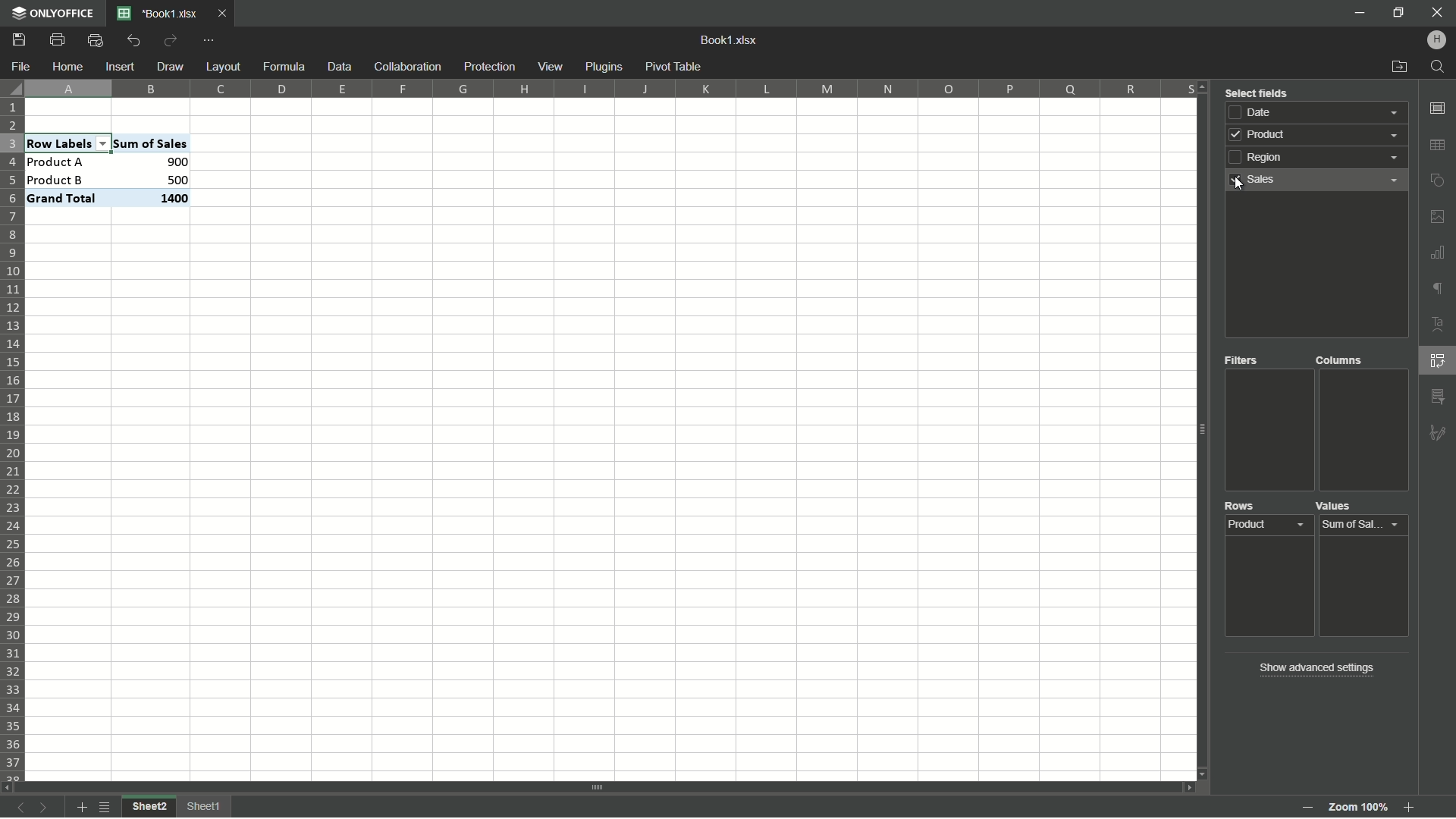 The image size is (1456, 819). Describe the element at coordinates (9, 786) in the screenshot. I see `scroll left` at that location.